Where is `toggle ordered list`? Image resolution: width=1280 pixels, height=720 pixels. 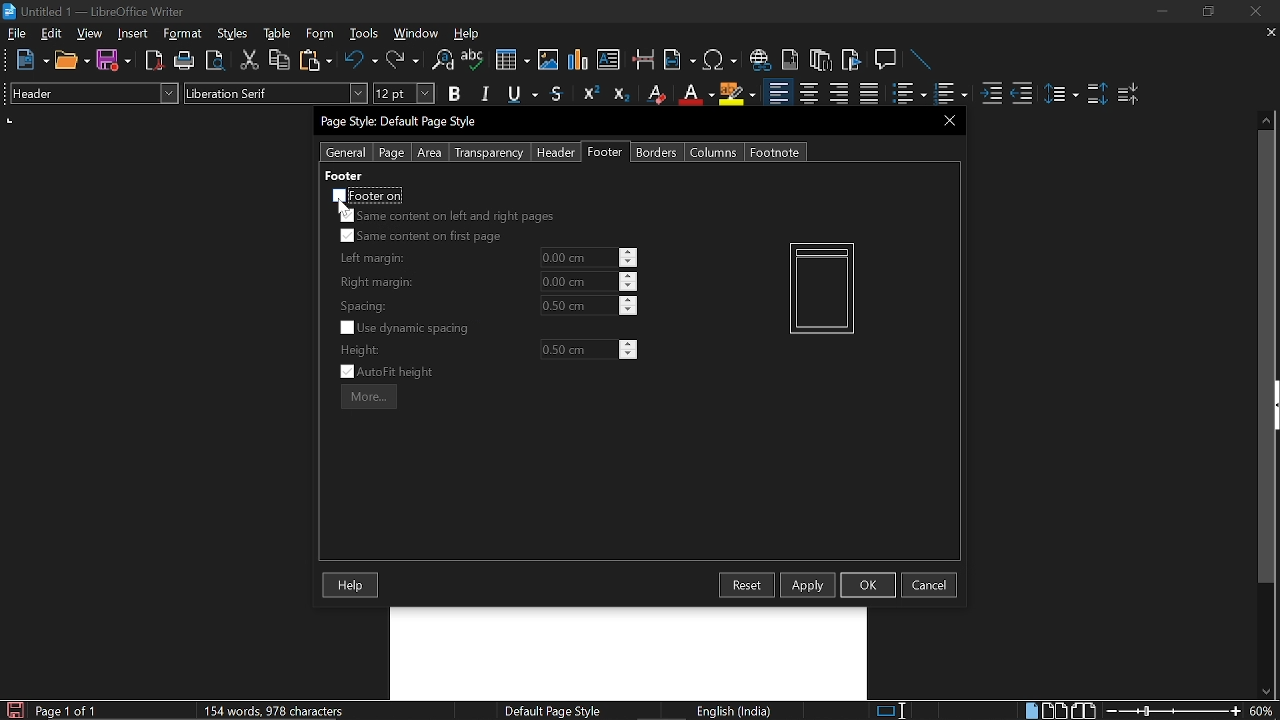
toggle ordered list is located at coordinates (909, 94).